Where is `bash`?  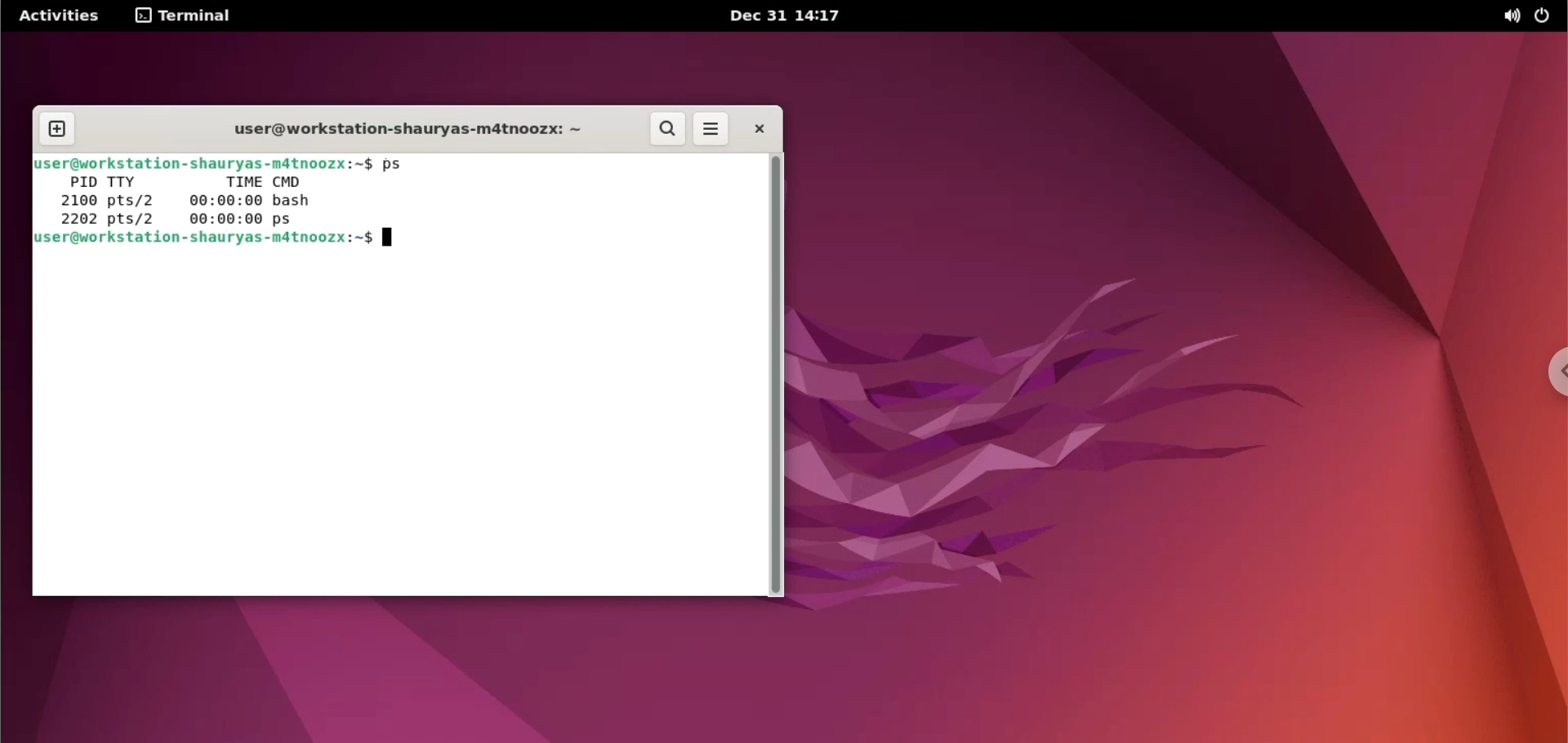
bash is located at coordinates (293, 201).